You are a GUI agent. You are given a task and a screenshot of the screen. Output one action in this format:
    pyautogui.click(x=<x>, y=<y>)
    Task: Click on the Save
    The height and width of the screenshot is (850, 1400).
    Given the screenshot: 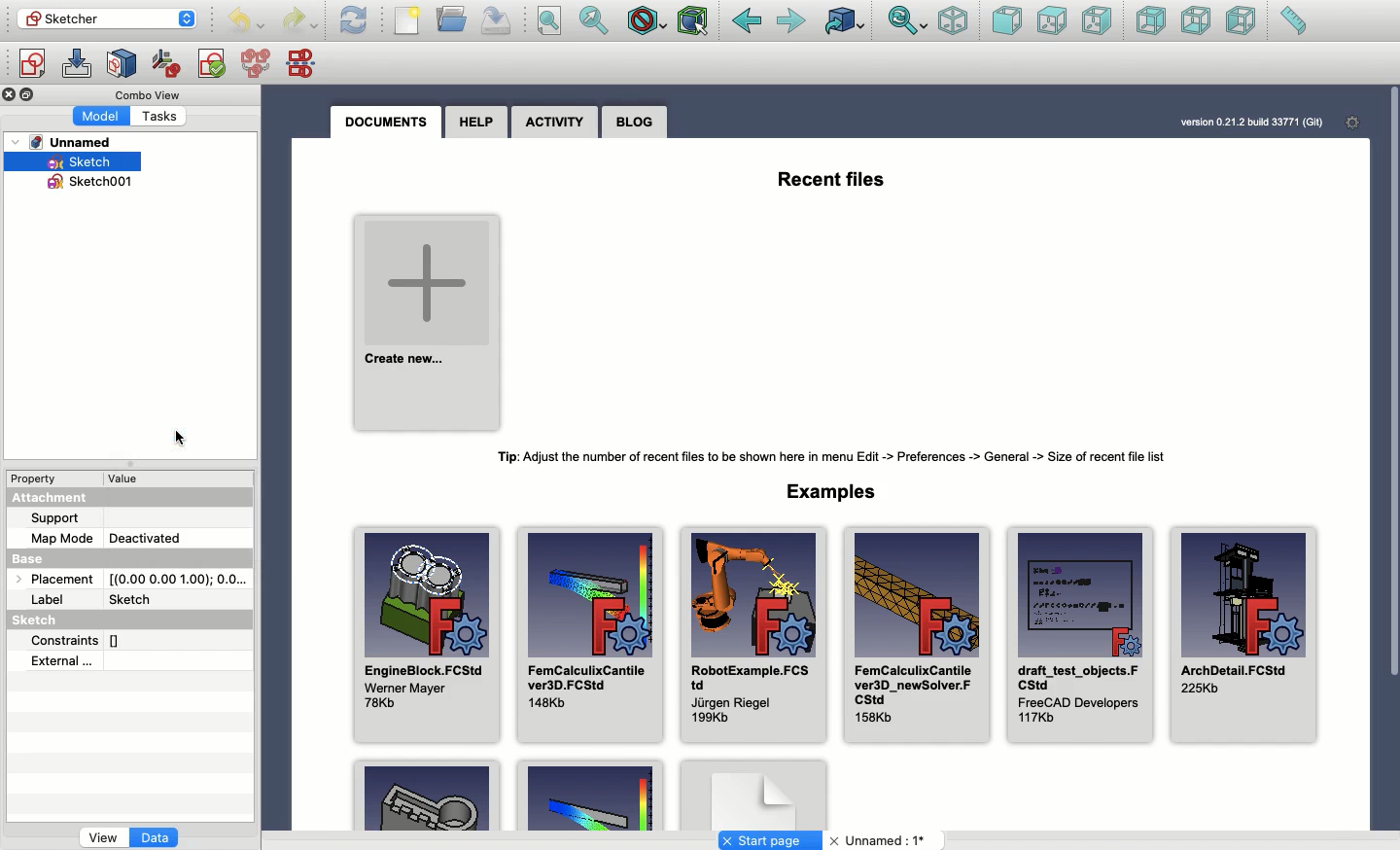 What is the action you would take?
    pyautogui.click(x=497, y=21)
    